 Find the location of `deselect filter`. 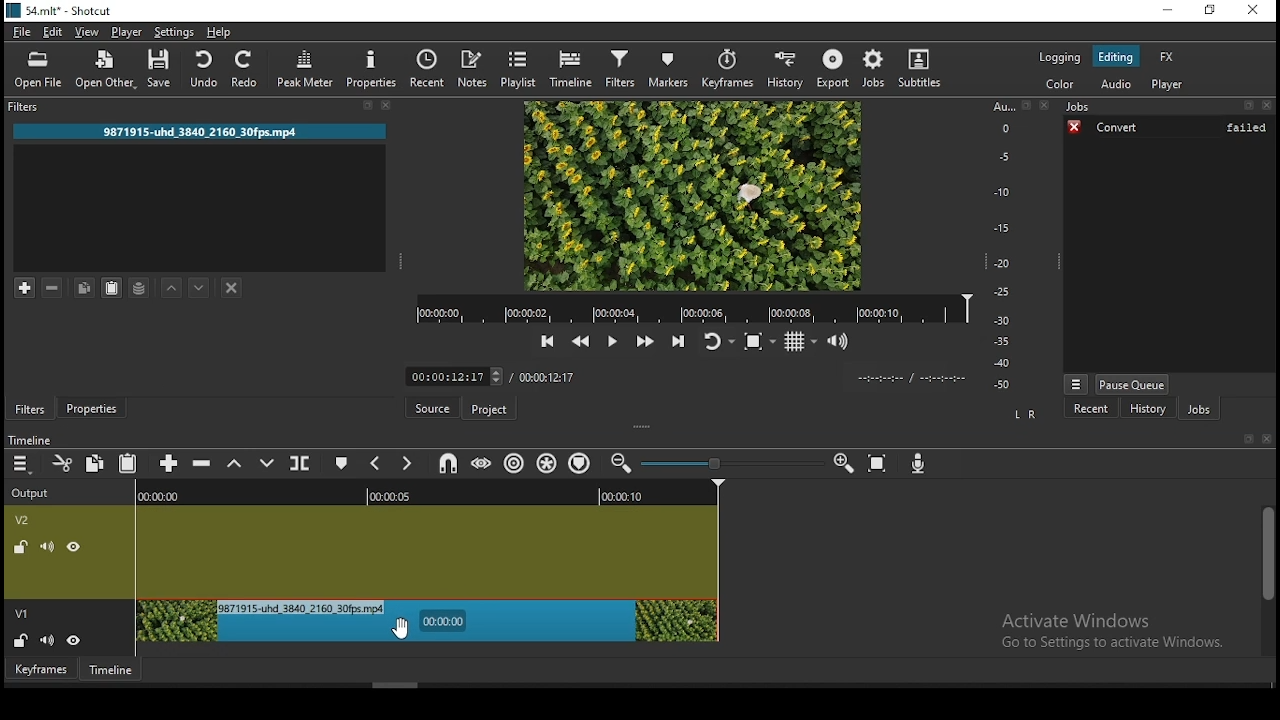

deselect filter is located at coordinates (231, 288).